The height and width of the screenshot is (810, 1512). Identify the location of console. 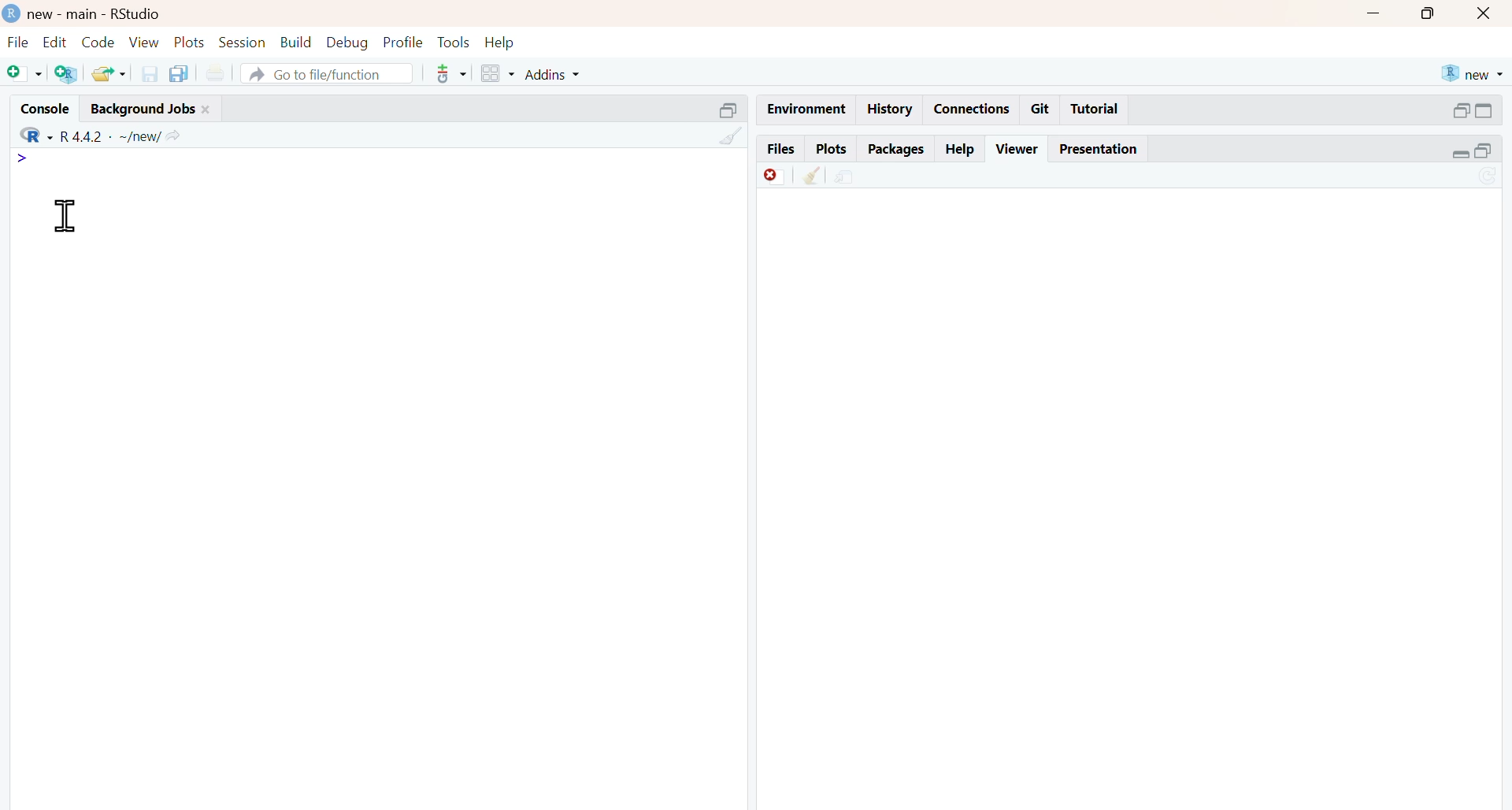
(46, 110).